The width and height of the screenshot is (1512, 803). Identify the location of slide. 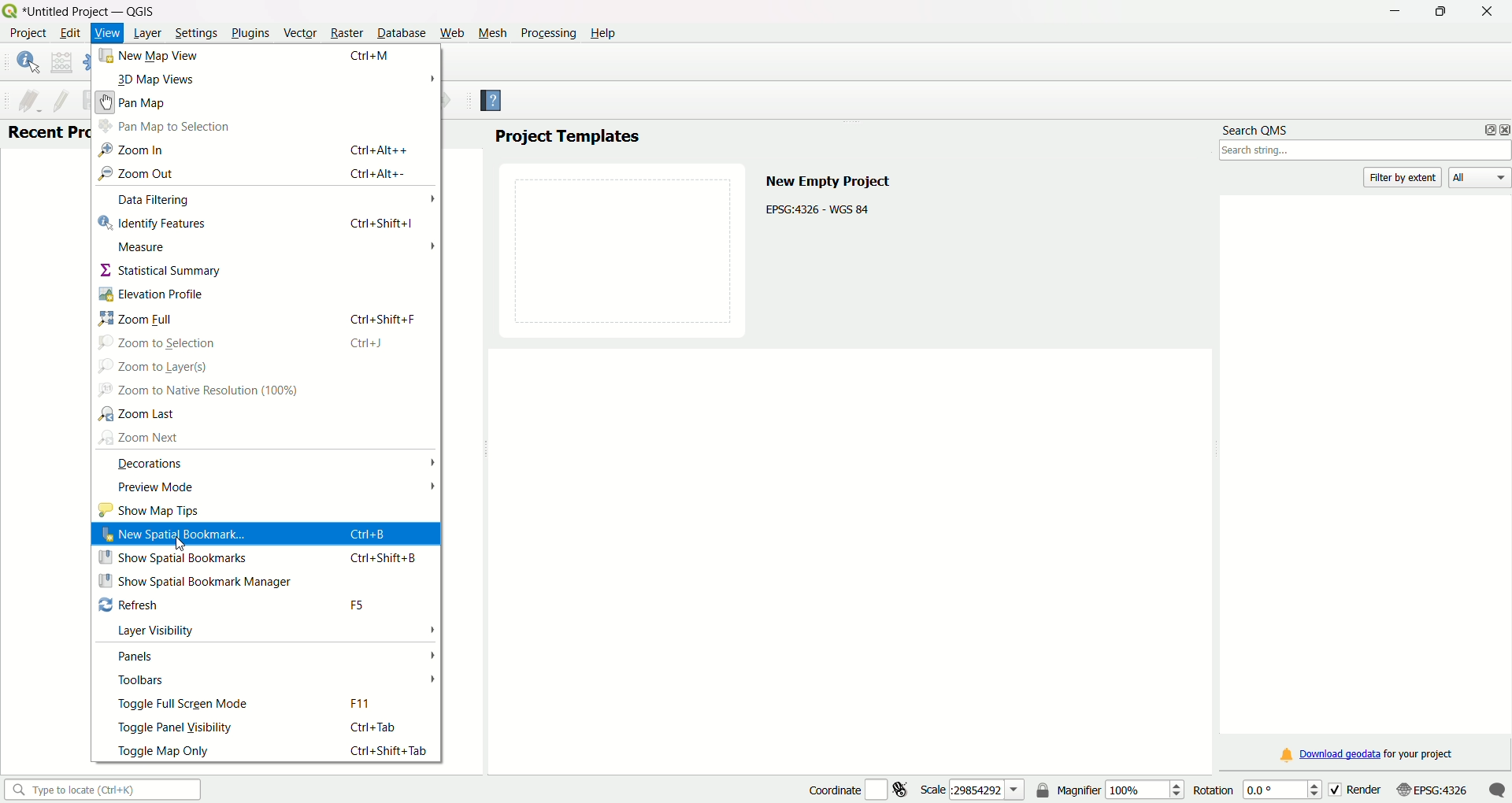
(624, 248).